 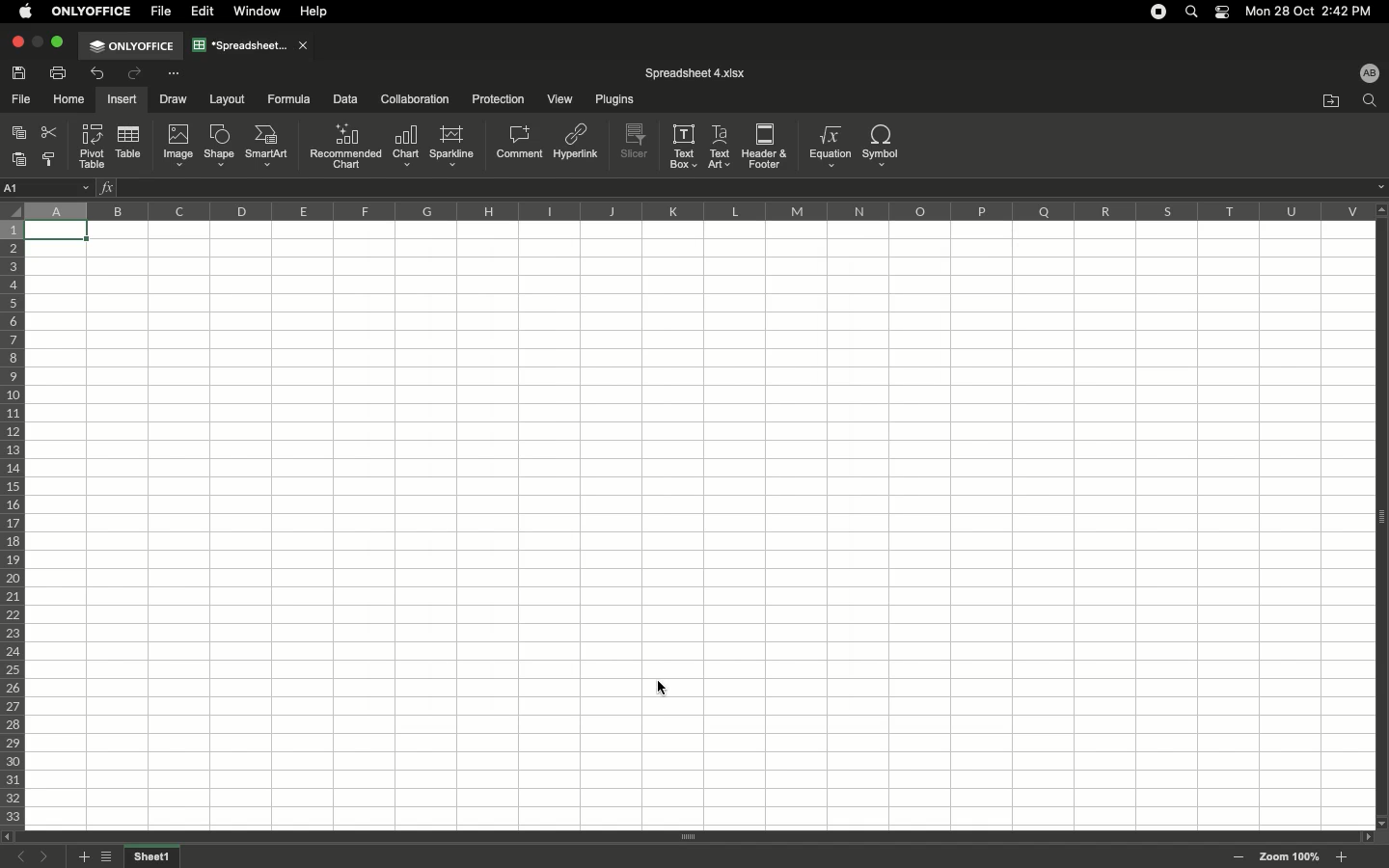 I want to click on Insert function, so click(x=108, y=187).